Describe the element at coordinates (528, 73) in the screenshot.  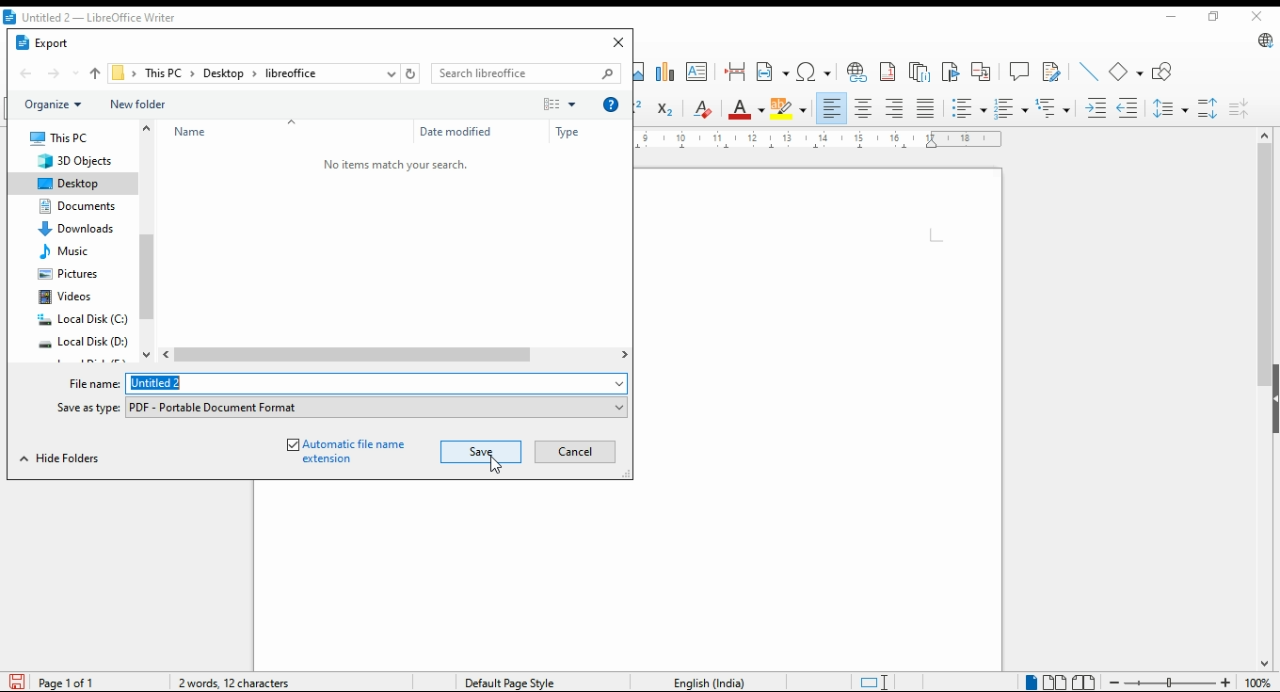
I see `search bar` at that location.